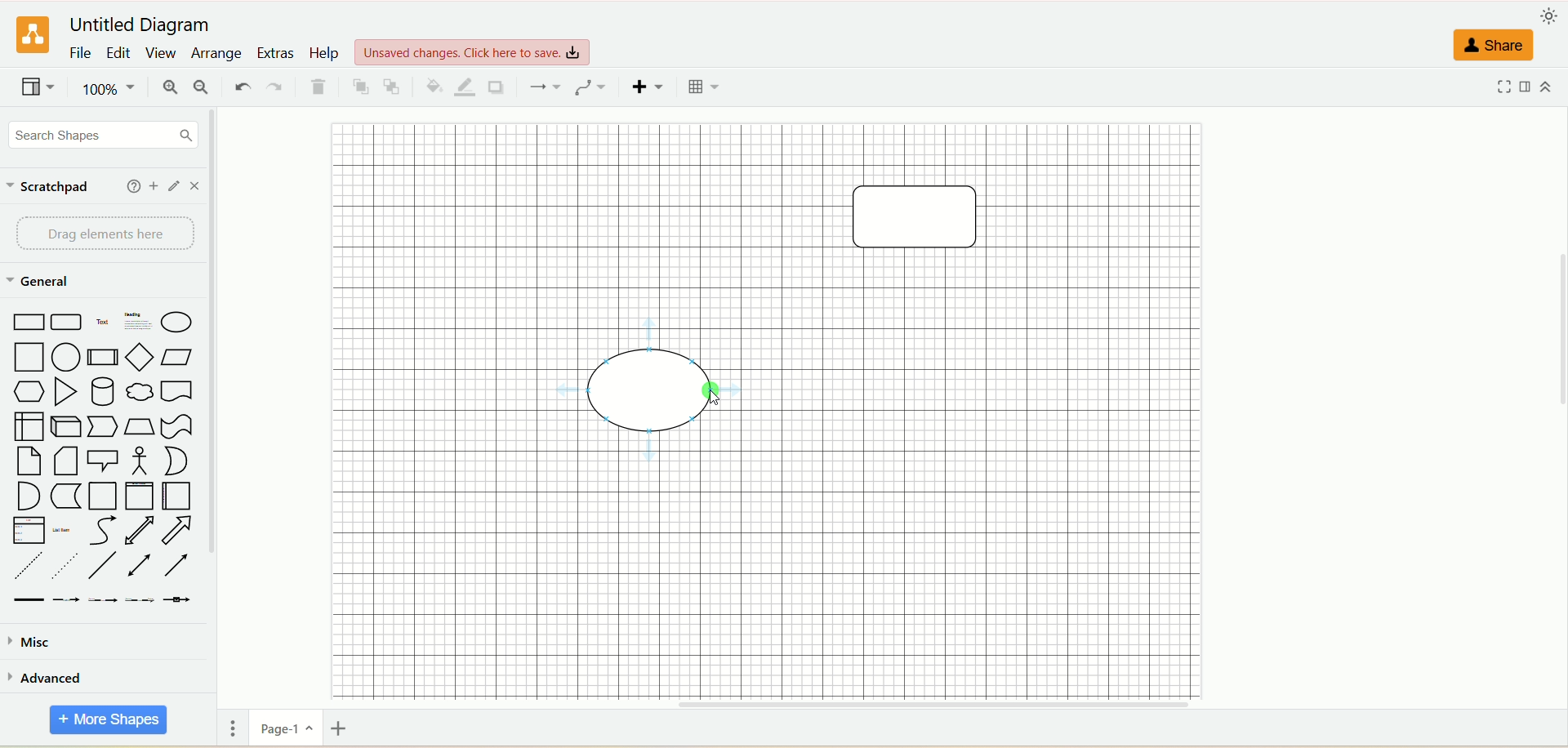 The image size is (1568, 748). I want to click on undo, so click(239, 86).